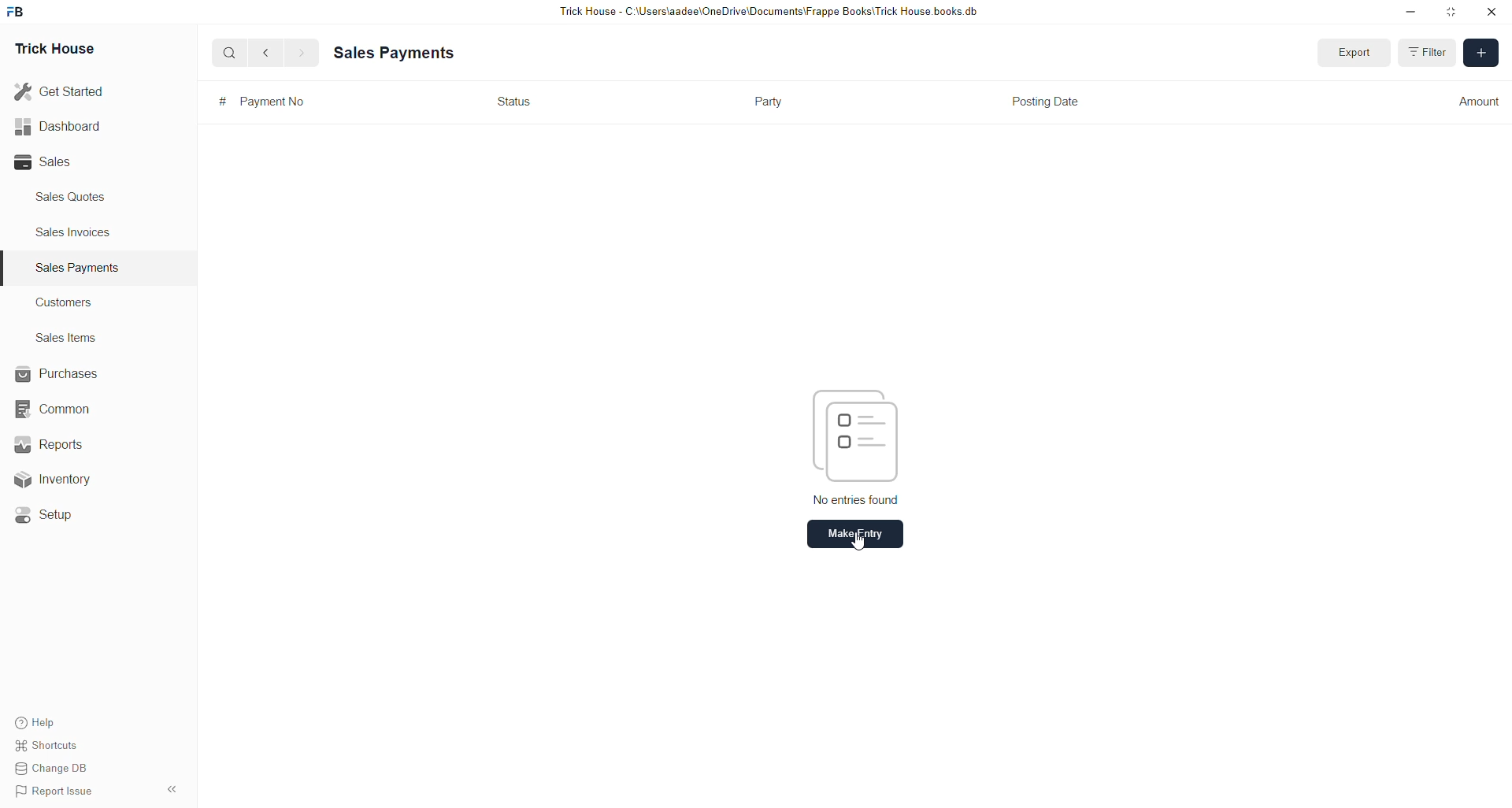 This screenshot has height=808, width=1512. I want to click on Sales Items, so click(67, 338).